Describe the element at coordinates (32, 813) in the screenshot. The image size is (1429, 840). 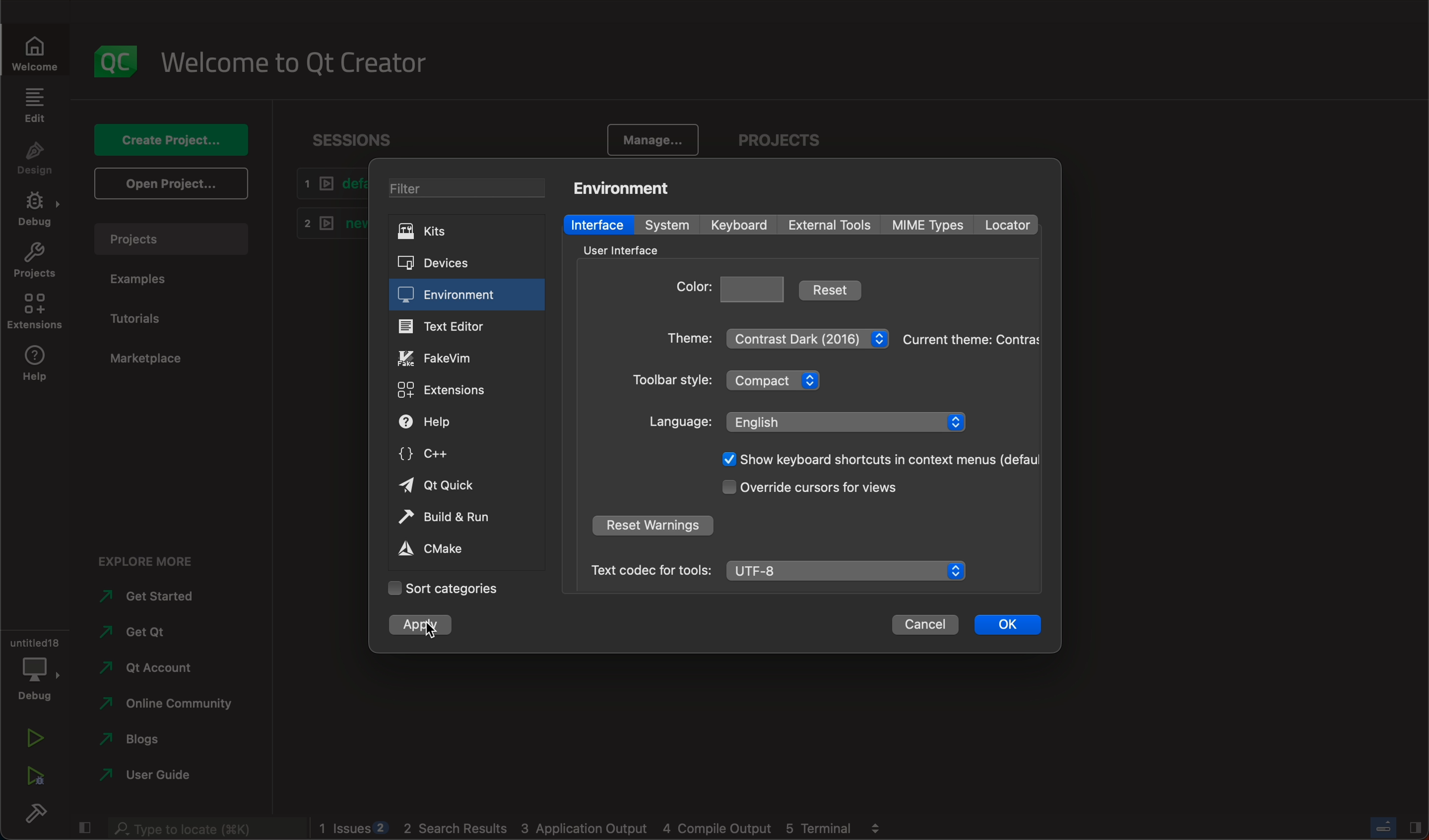
I see `build` at that location.